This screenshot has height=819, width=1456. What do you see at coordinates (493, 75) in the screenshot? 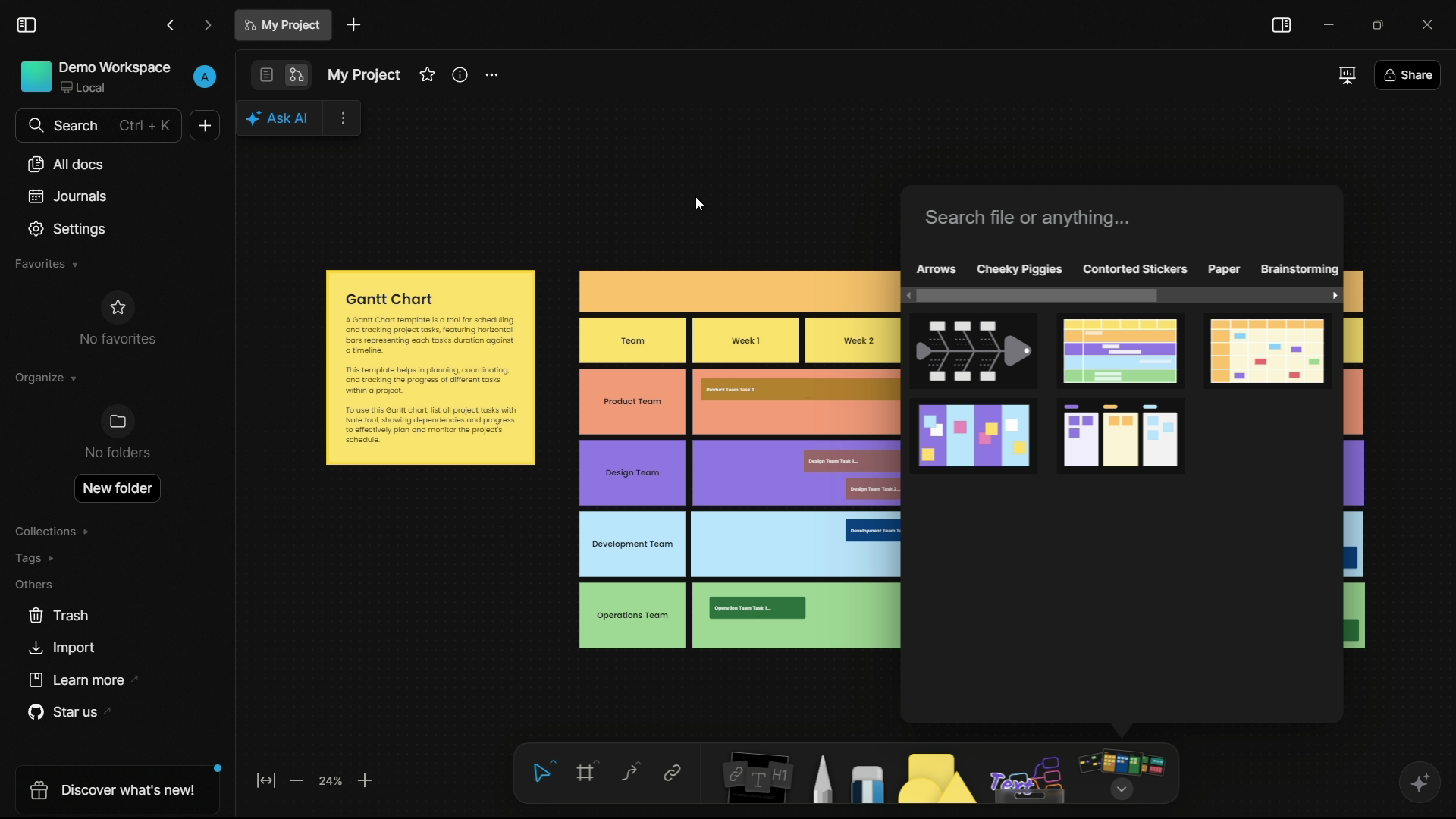
I see `project settings` at bounding box center [493, 75].